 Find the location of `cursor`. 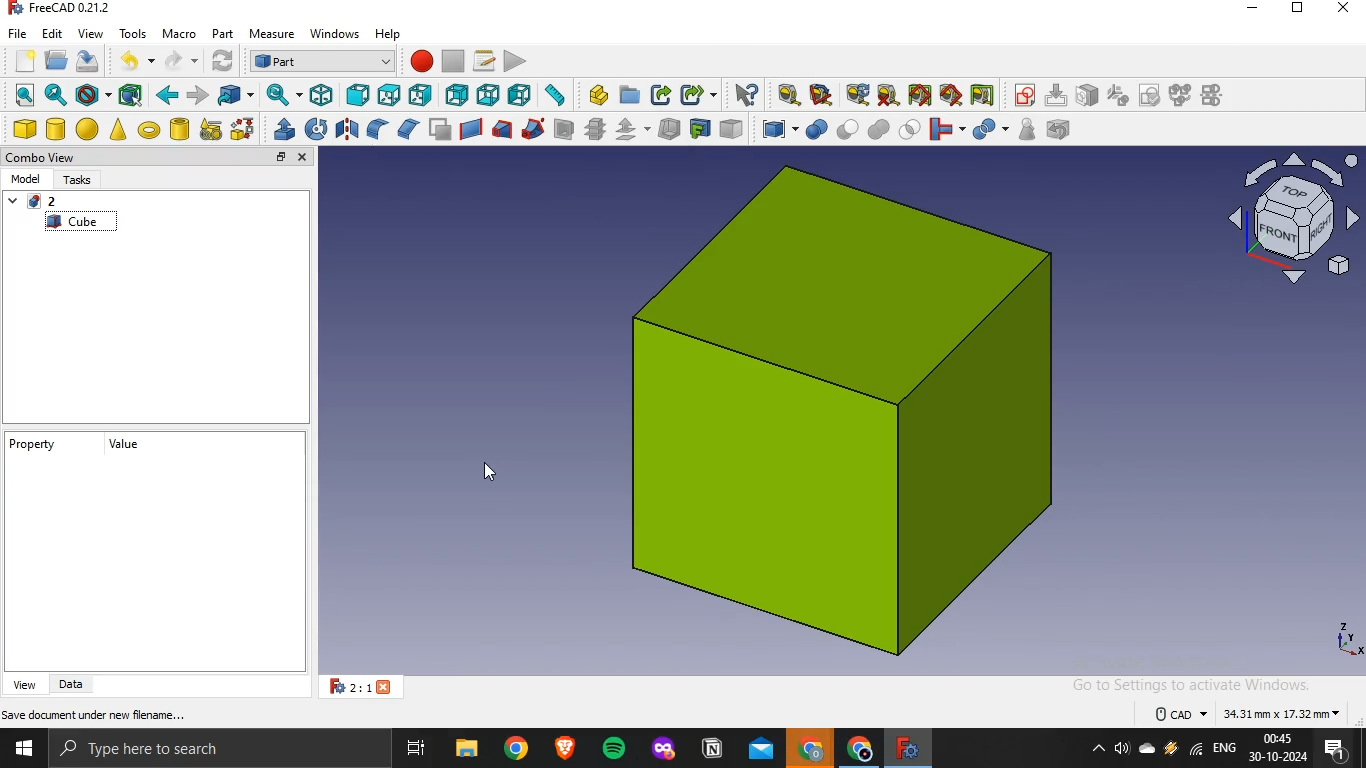

cursor is located at coordinates (152, 148).